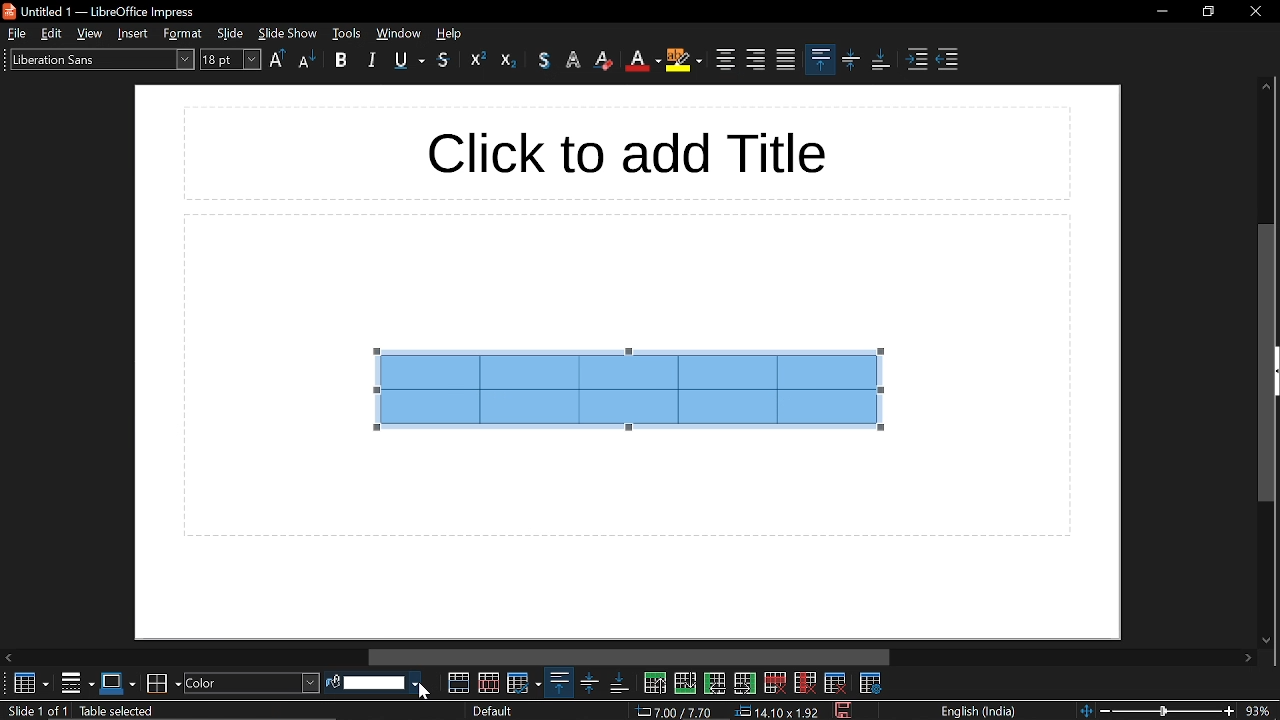  Describe the element at coordinates (333, 681) in the screenshot. I see `fill color` at that location.